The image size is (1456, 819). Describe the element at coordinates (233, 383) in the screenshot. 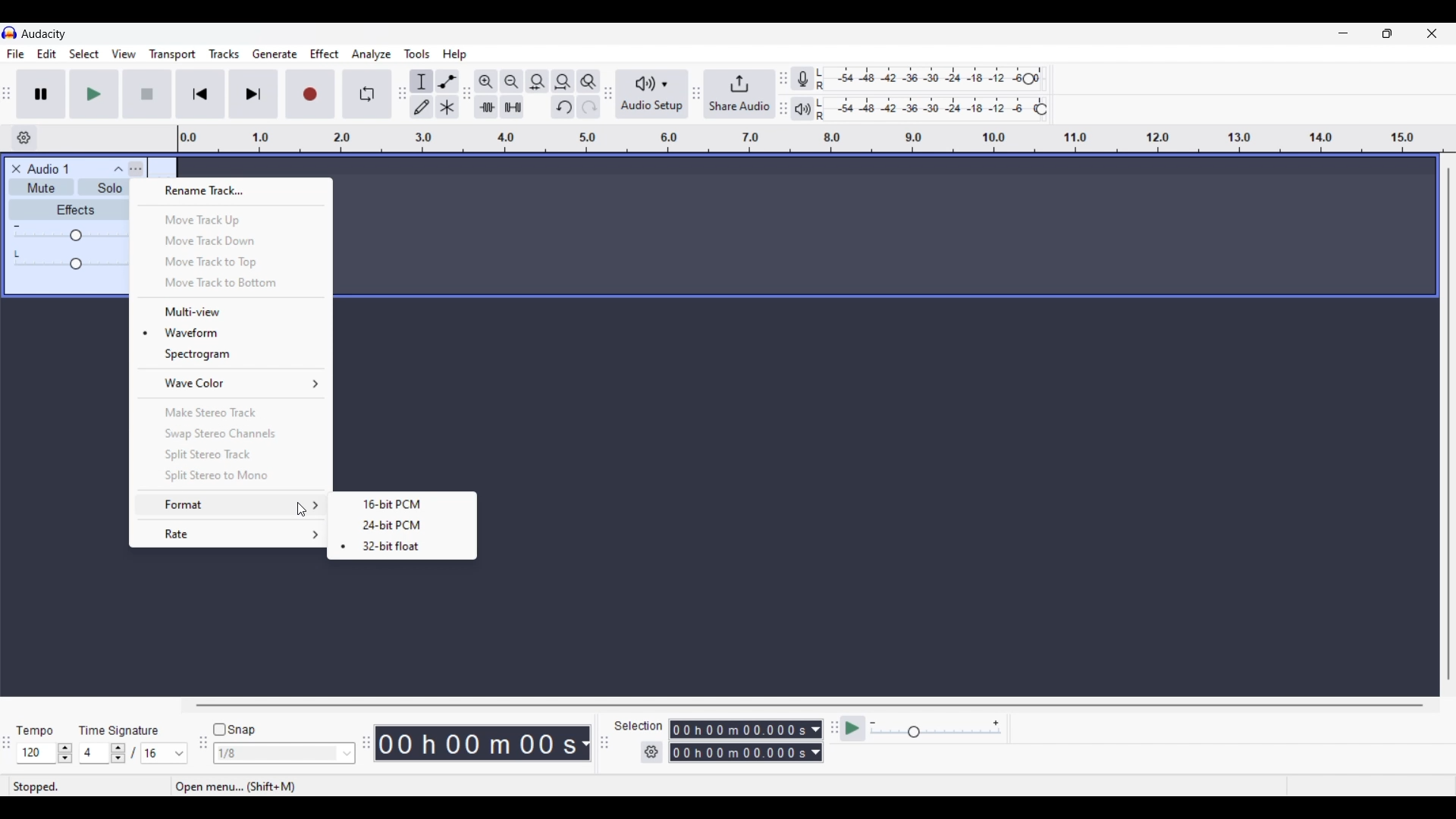

I see `Wave color options` at that location.